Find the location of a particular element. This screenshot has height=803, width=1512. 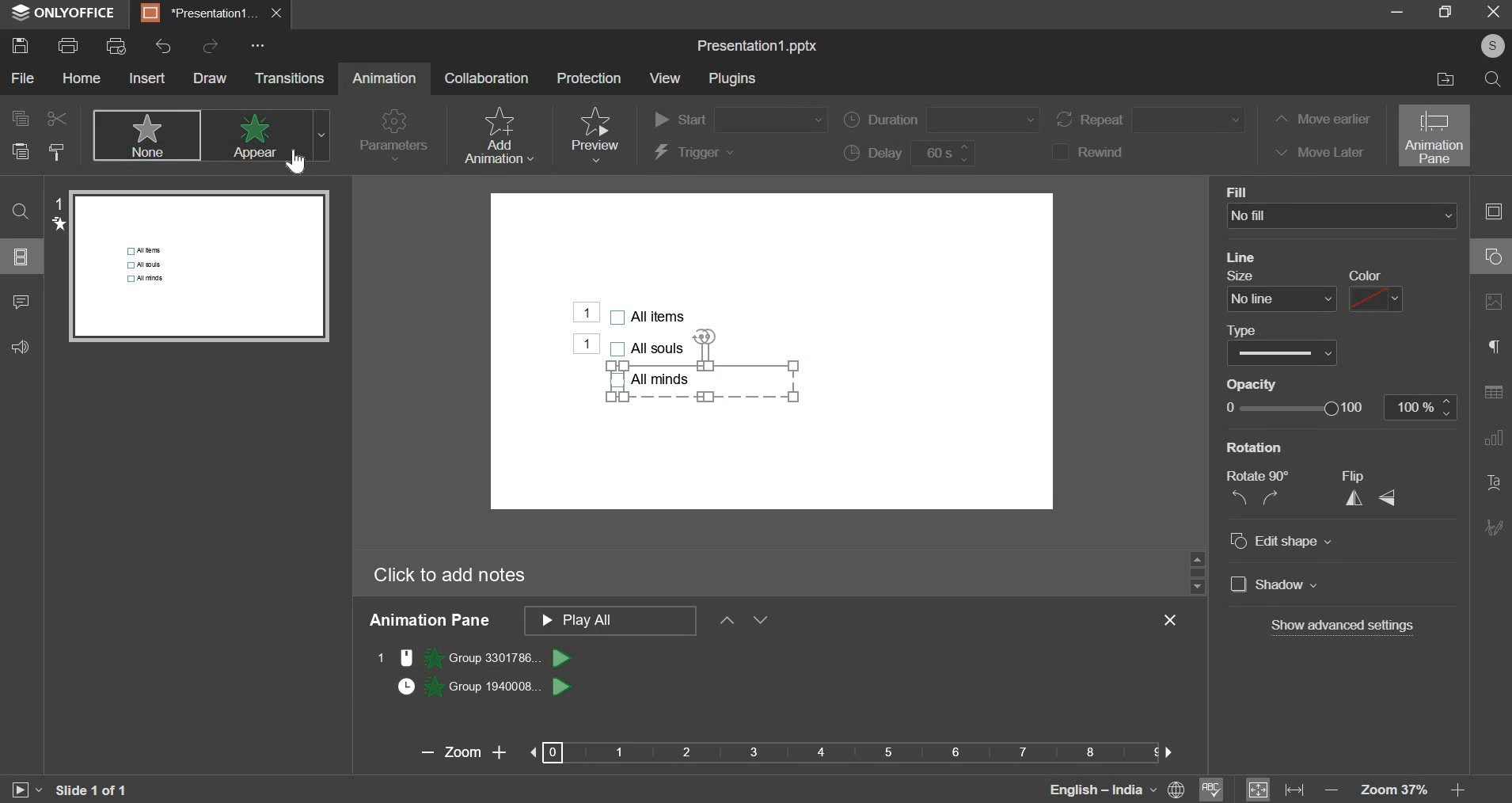

transitions is located at coordinates (289, 78).